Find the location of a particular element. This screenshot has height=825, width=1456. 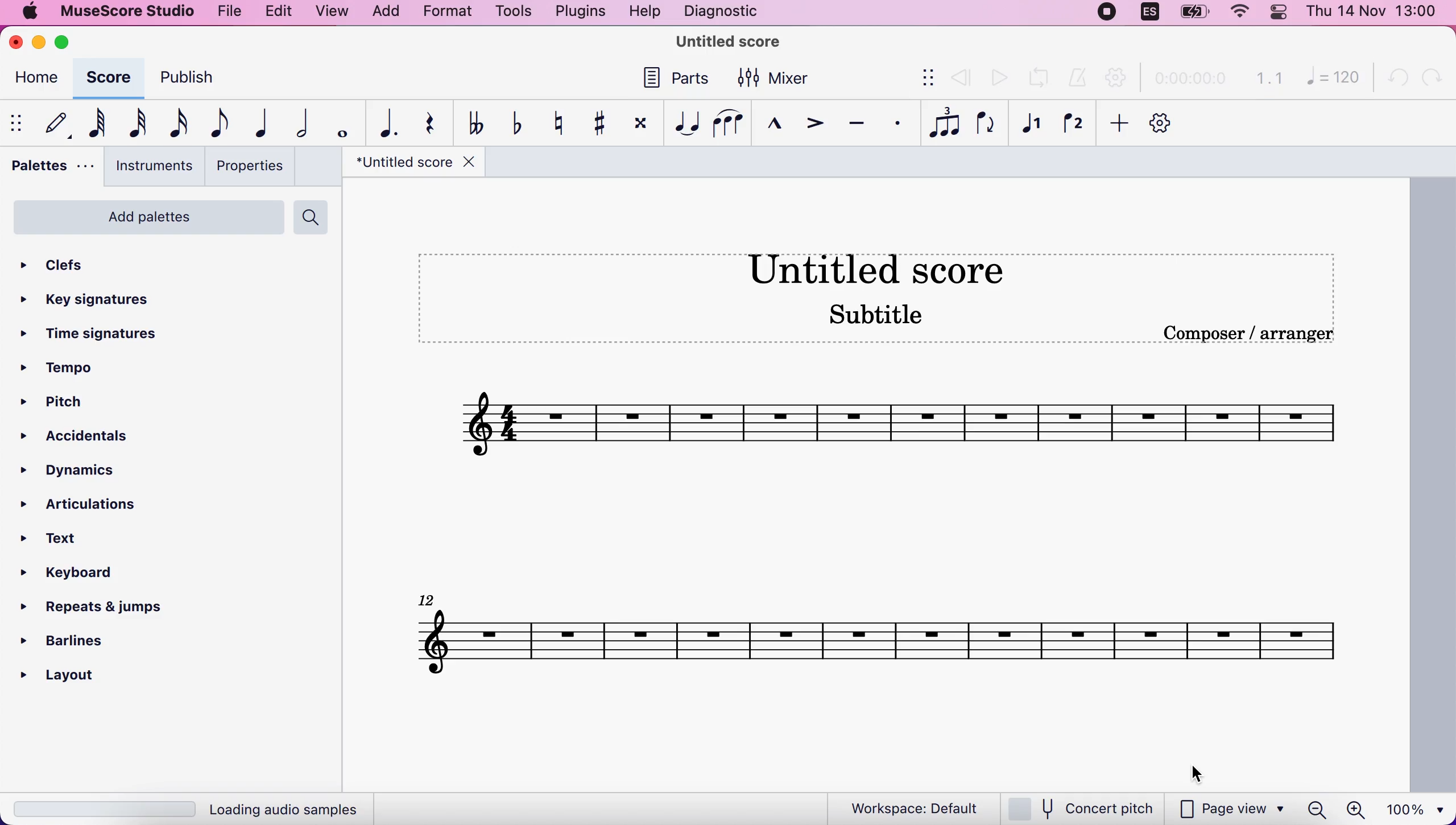

palettes ... is located at coordinates (51, 170).